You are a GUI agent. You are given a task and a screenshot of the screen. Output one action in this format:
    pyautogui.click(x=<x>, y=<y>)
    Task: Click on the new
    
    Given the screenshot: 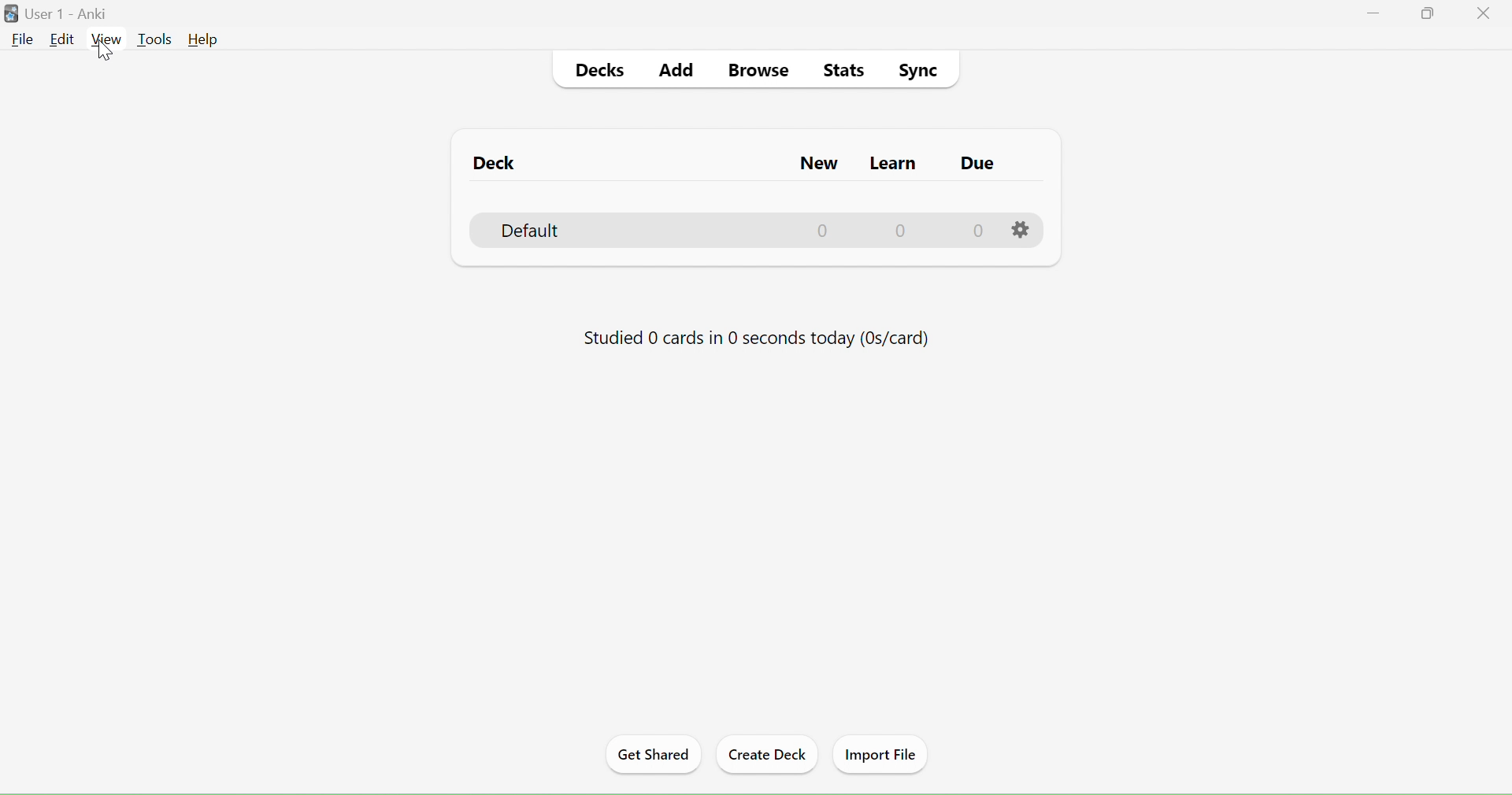 What is the action you would take?
    pyautogui.click(x=820, y=198)
    